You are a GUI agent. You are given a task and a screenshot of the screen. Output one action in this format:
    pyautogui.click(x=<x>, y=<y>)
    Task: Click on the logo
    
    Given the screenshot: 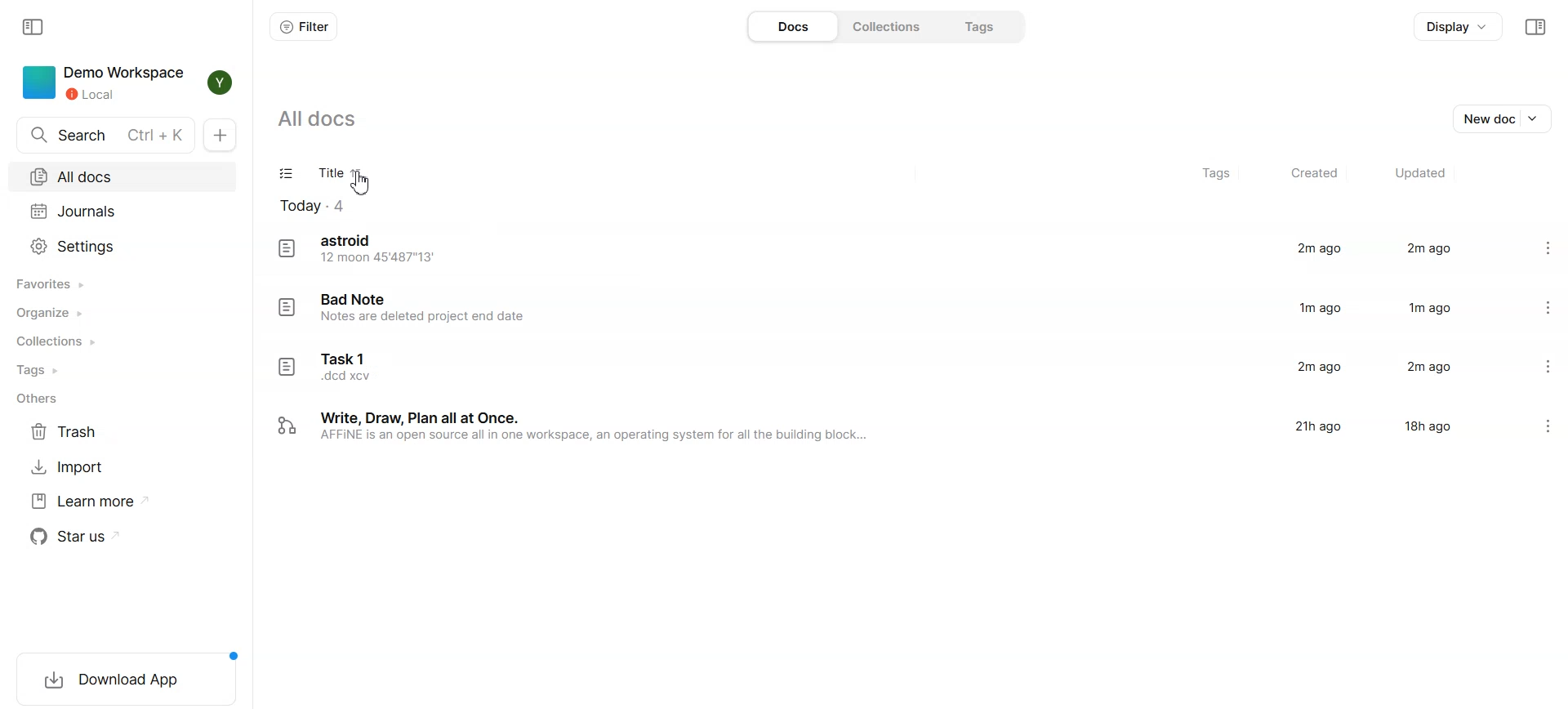 What is the action you would take?
    pyautogui.click(x=288, y=426)
    